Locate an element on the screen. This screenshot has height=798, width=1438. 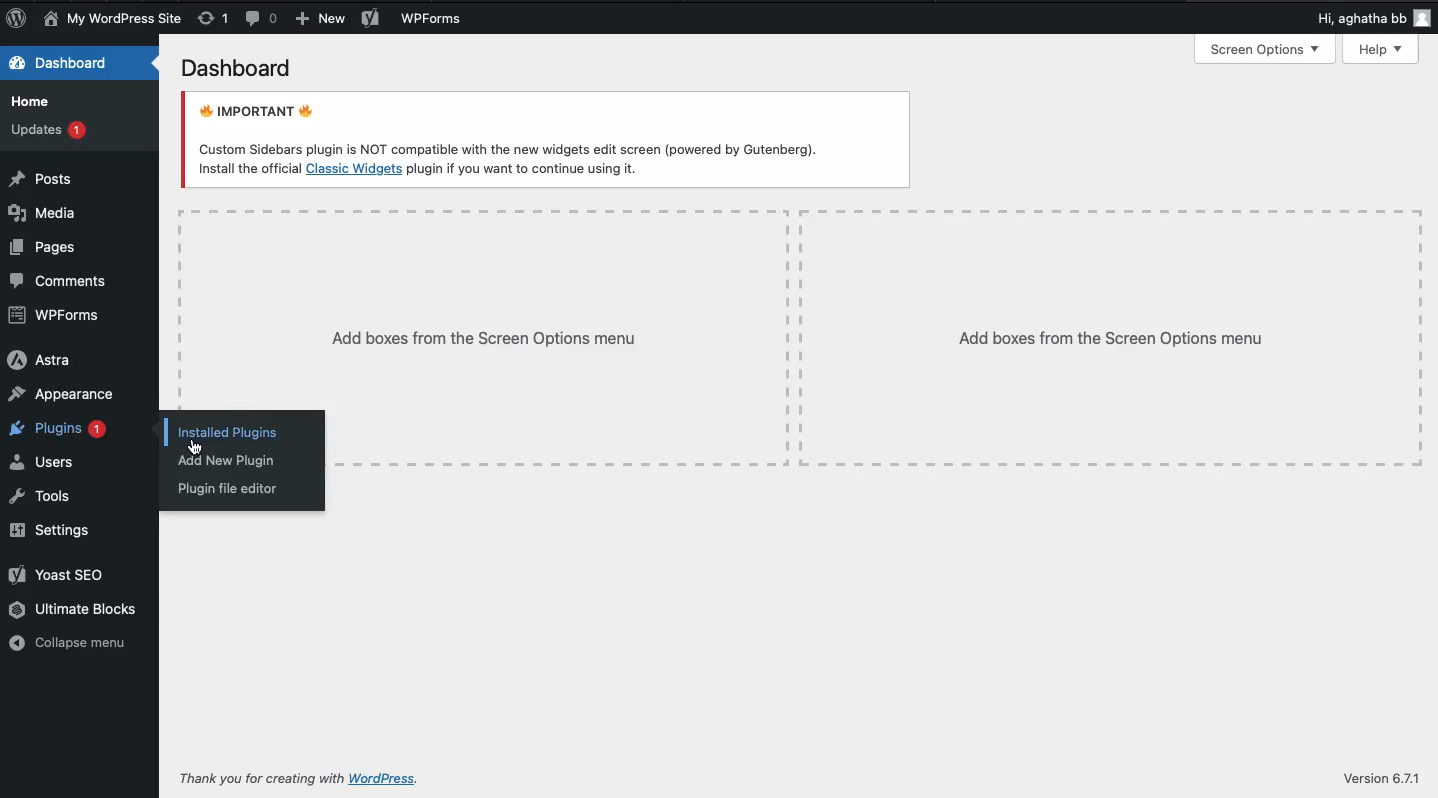
New is located at coordinates (320, 19).